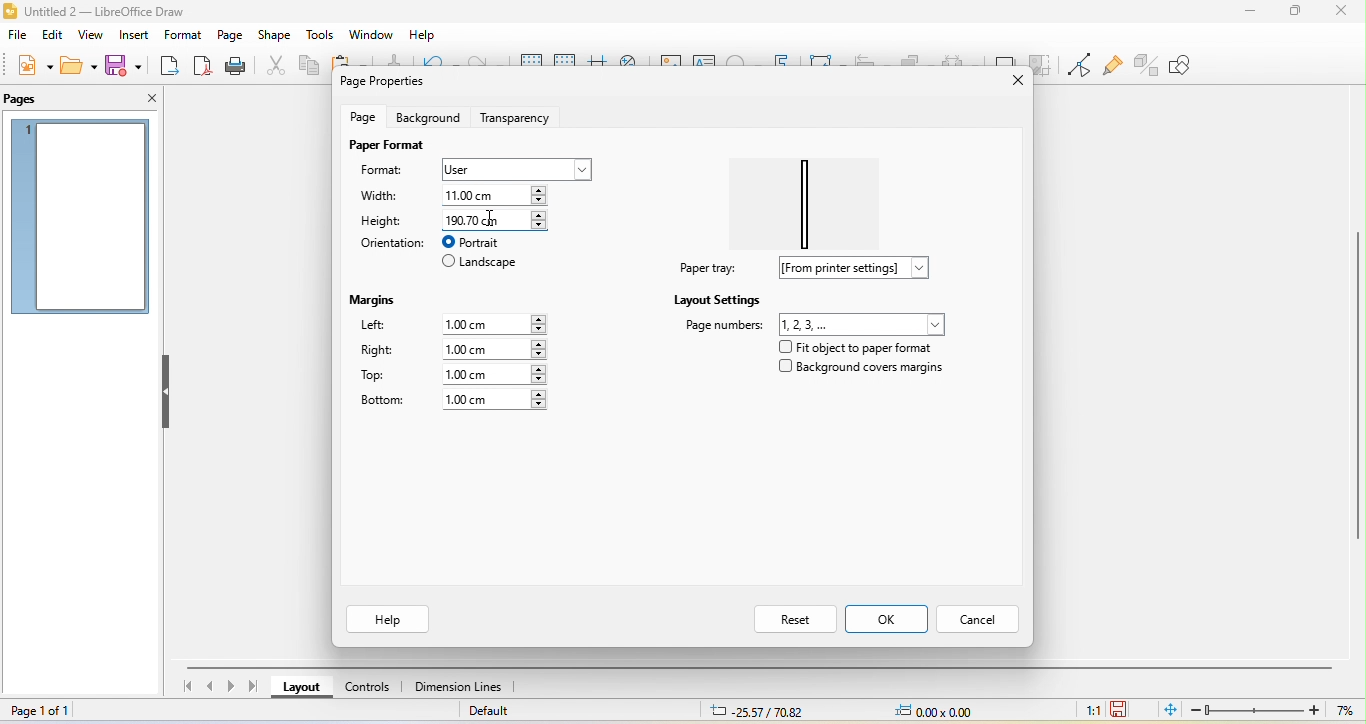 The height and width of the screenshot is (724, 1366). I want to click on cursor movement, so click(498, 219).